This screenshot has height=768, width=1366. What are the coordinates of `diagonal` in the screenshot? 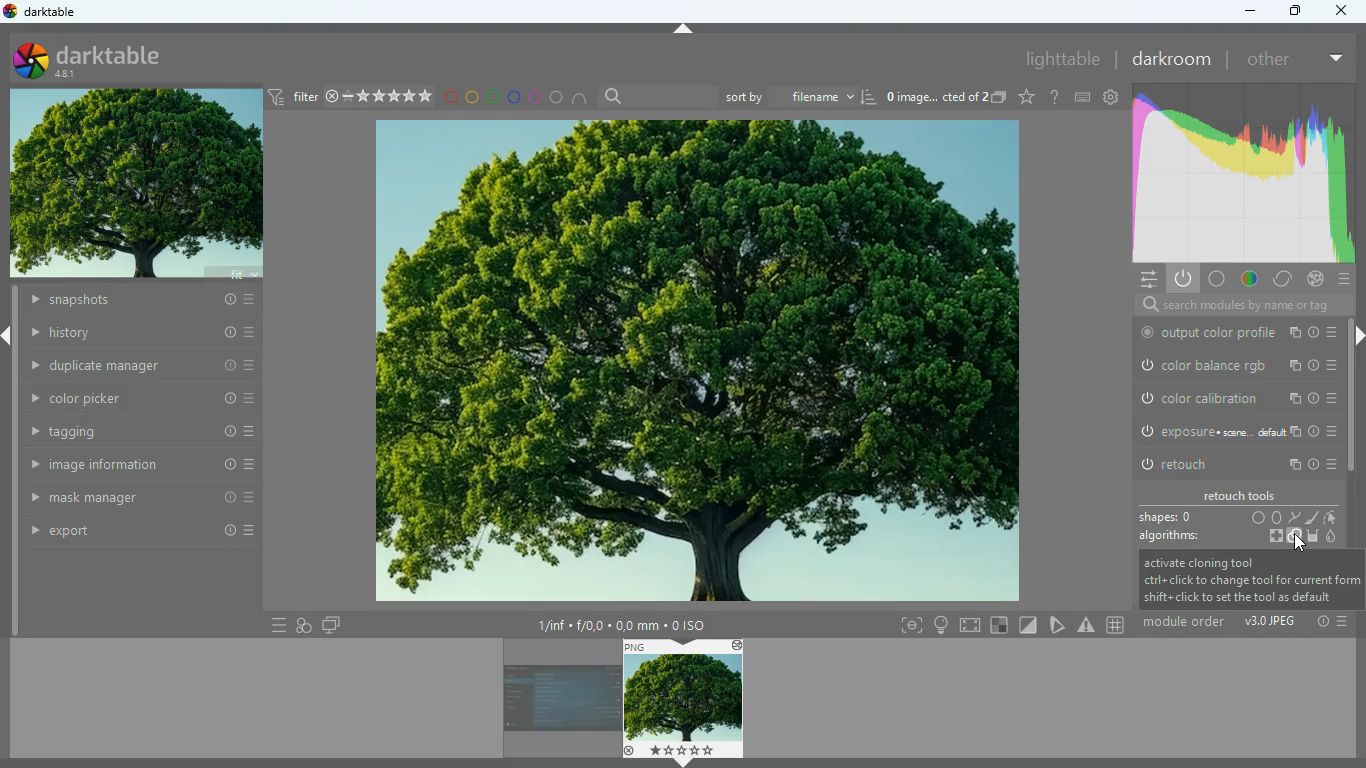 It's located at (1027, 624).